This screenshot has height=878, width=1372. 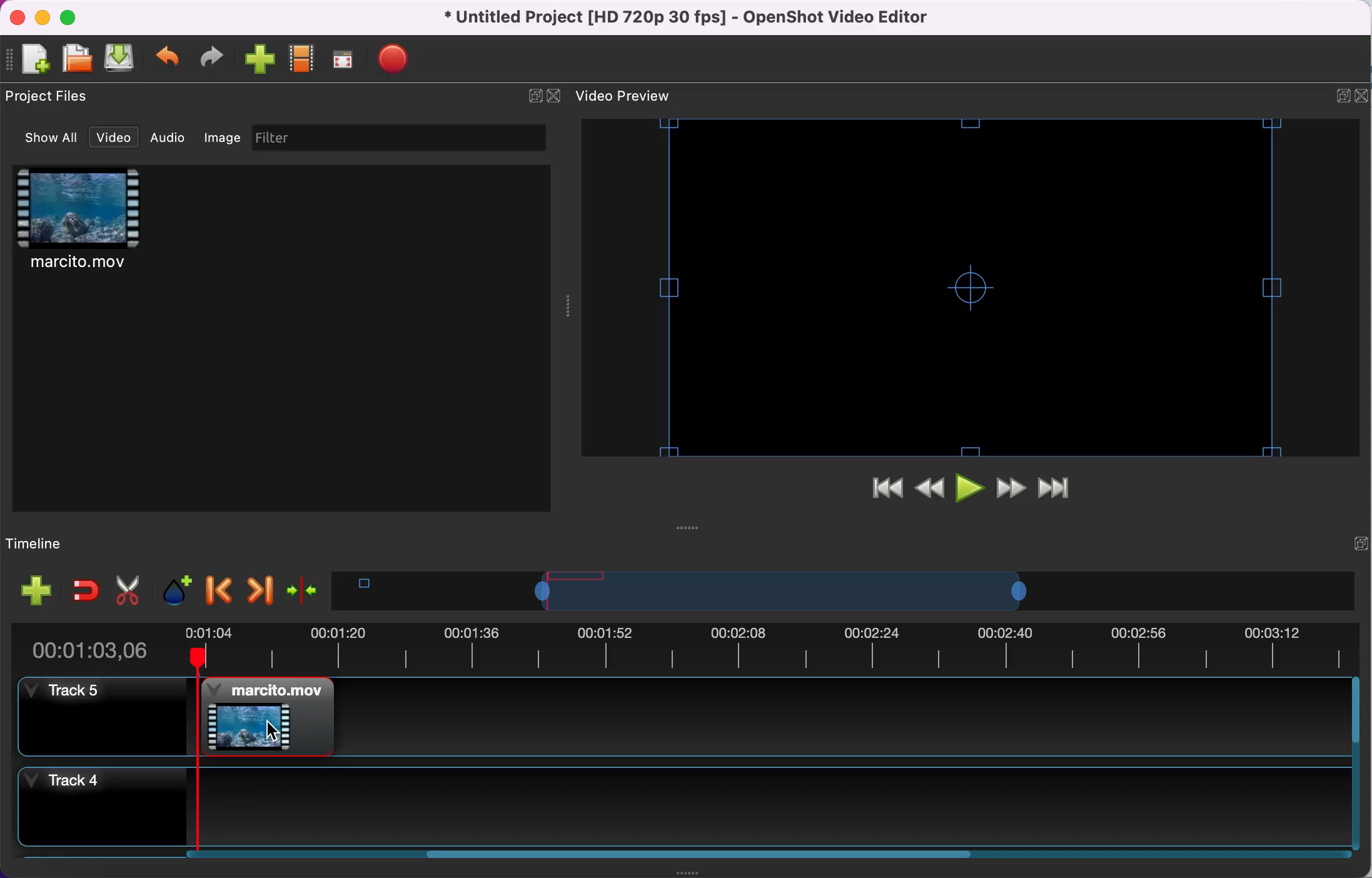 I want to click on add marker, so click(x=174, y=588).